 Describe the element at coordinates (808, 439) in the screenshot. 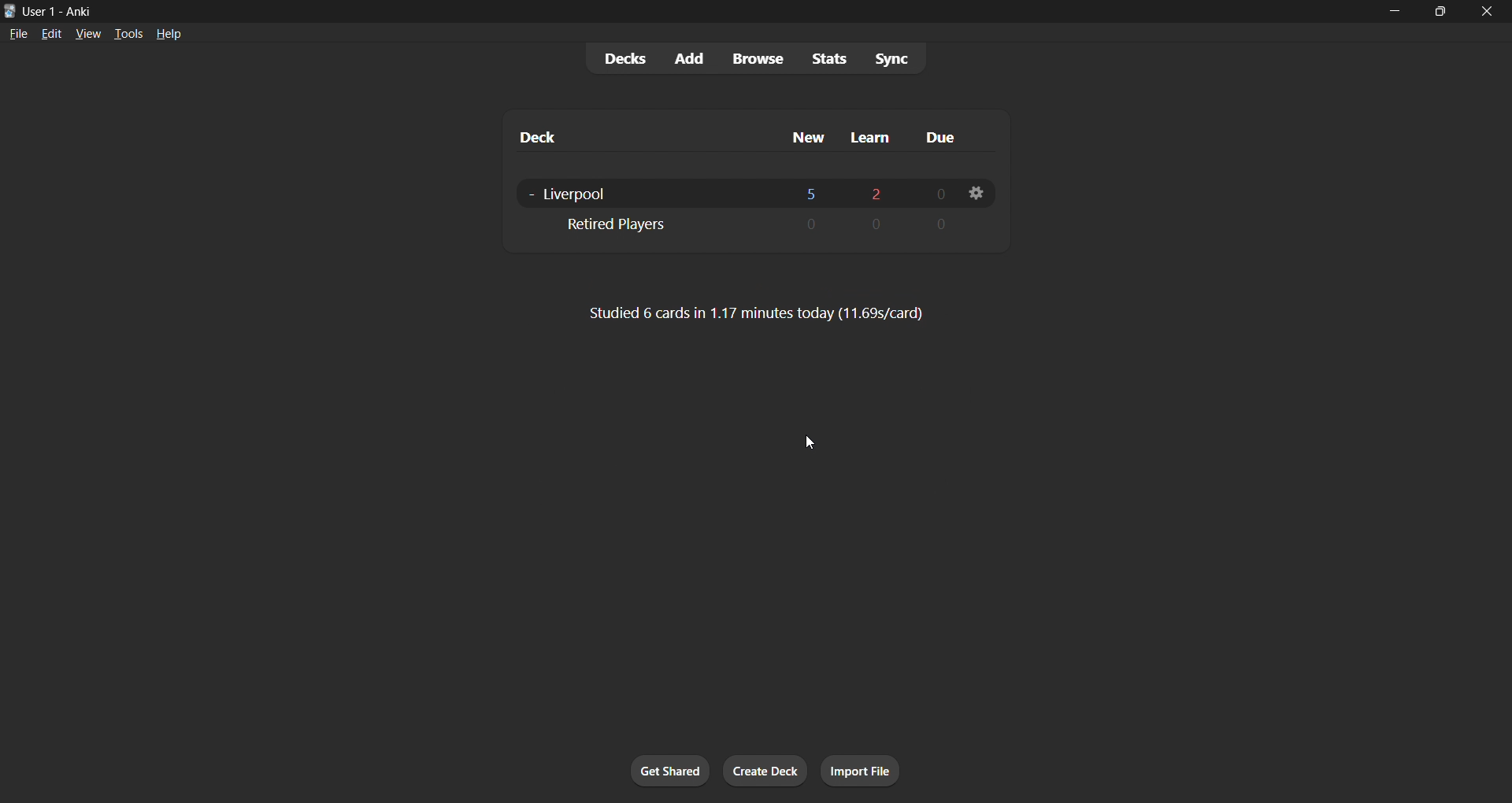

I see `cursor` at that location.